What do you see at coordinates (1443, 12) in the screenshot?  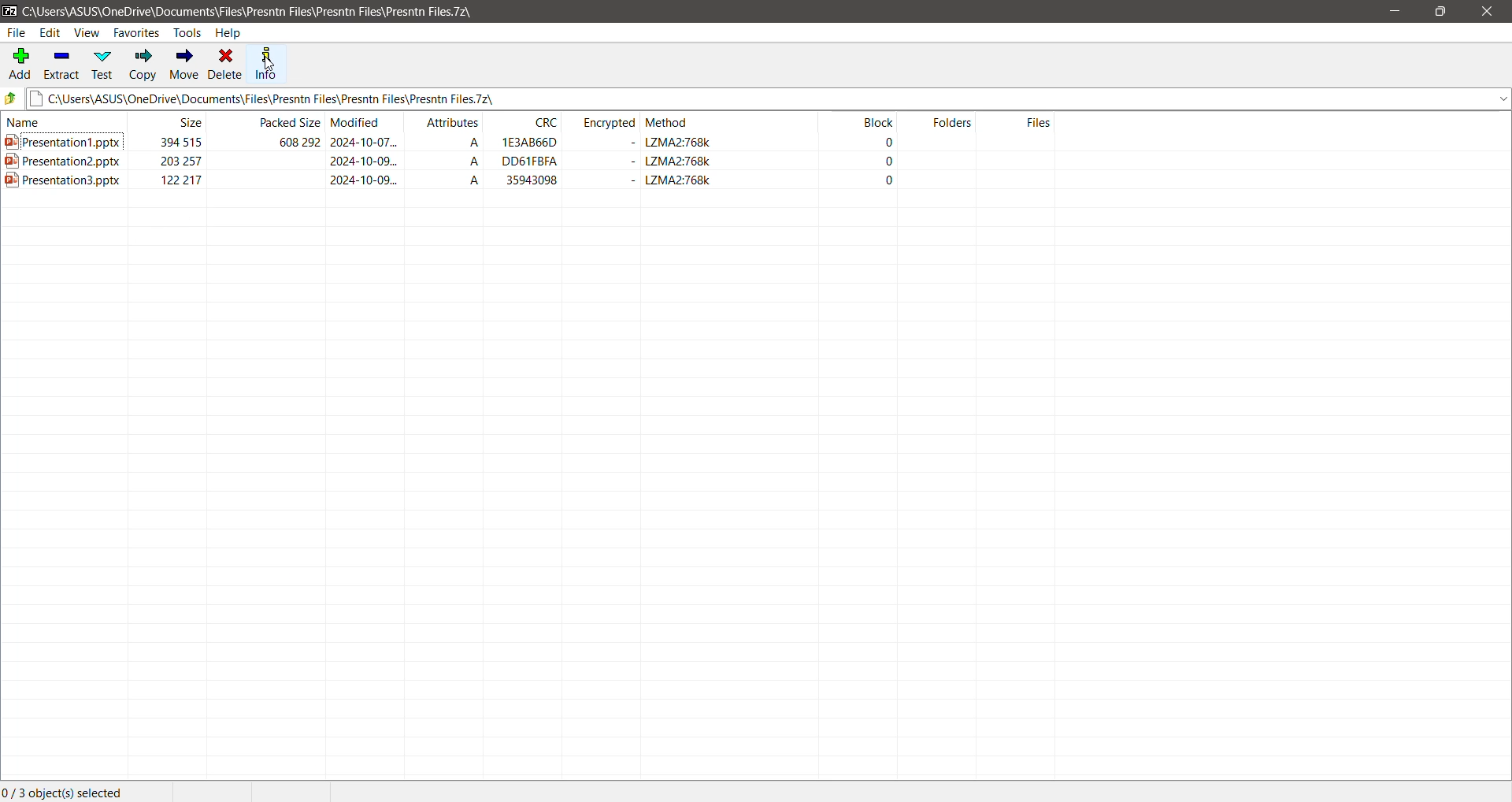 I see `Restore Down` at bounding box center [1443, 12].